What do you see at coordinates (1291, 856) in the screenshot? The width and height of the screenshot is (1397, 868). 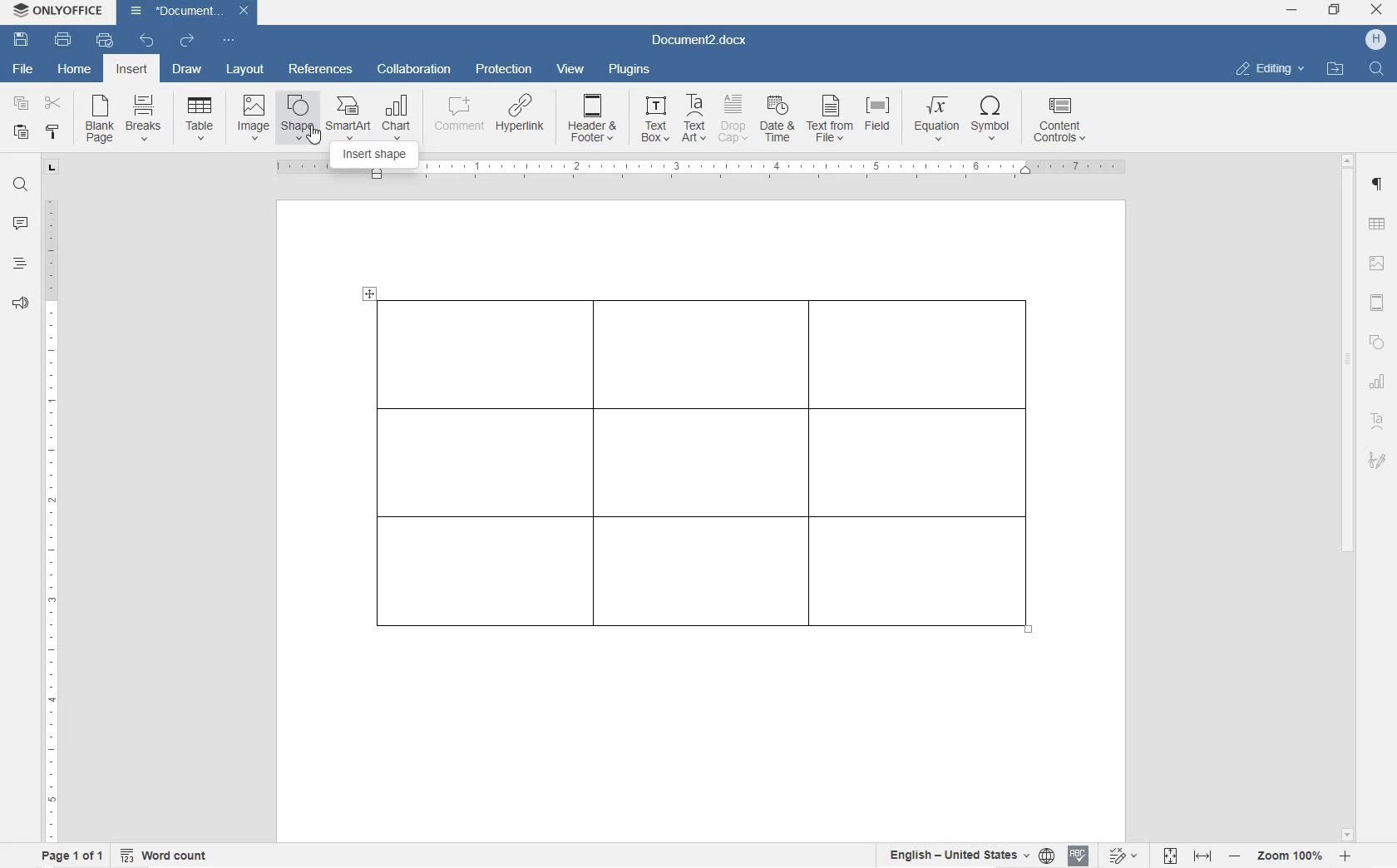 I see `zoom in or out` at bounding box center [1291, 856].